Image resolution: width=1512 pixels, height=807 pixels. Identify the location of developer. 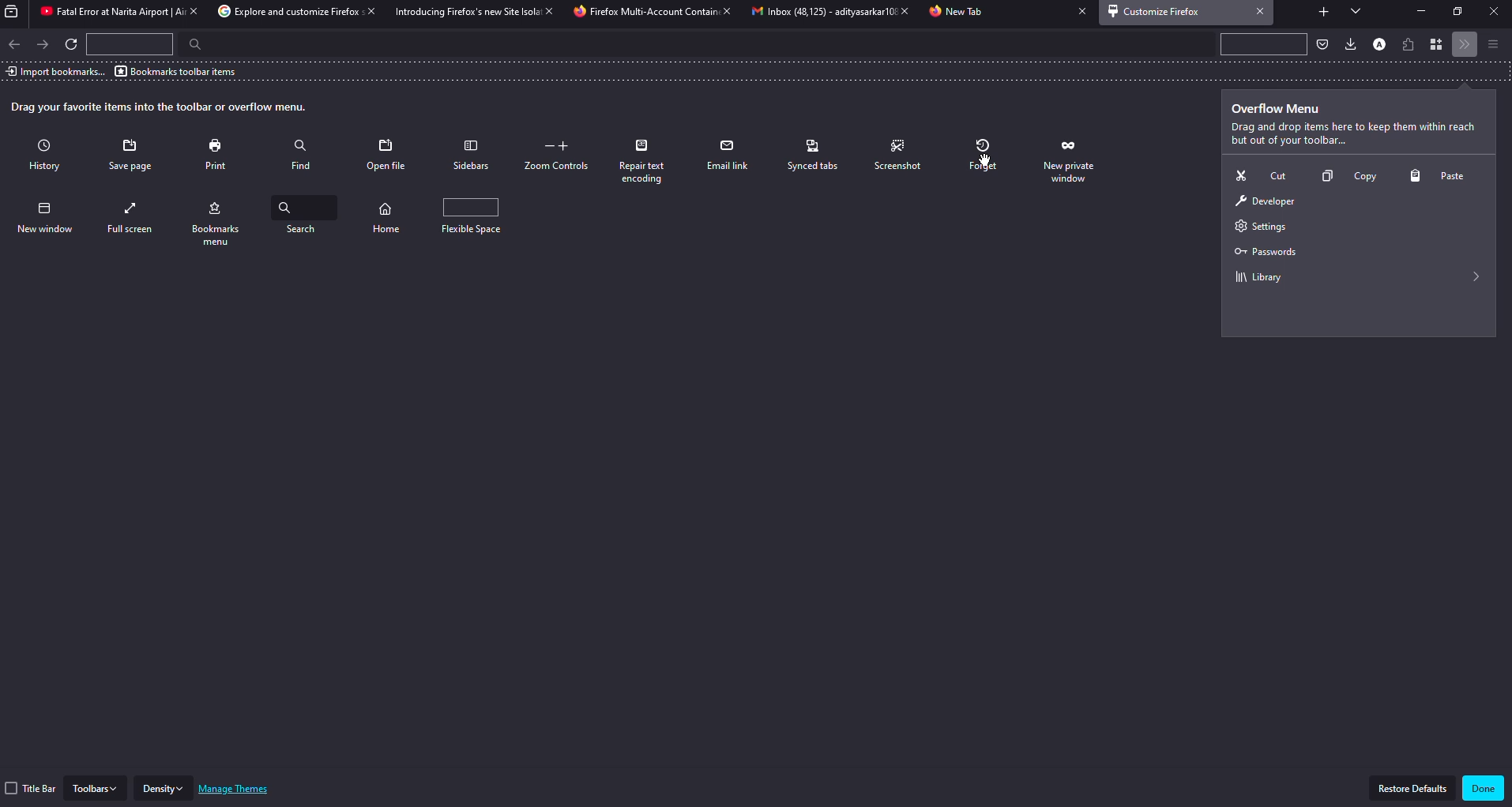
(1264, 202).